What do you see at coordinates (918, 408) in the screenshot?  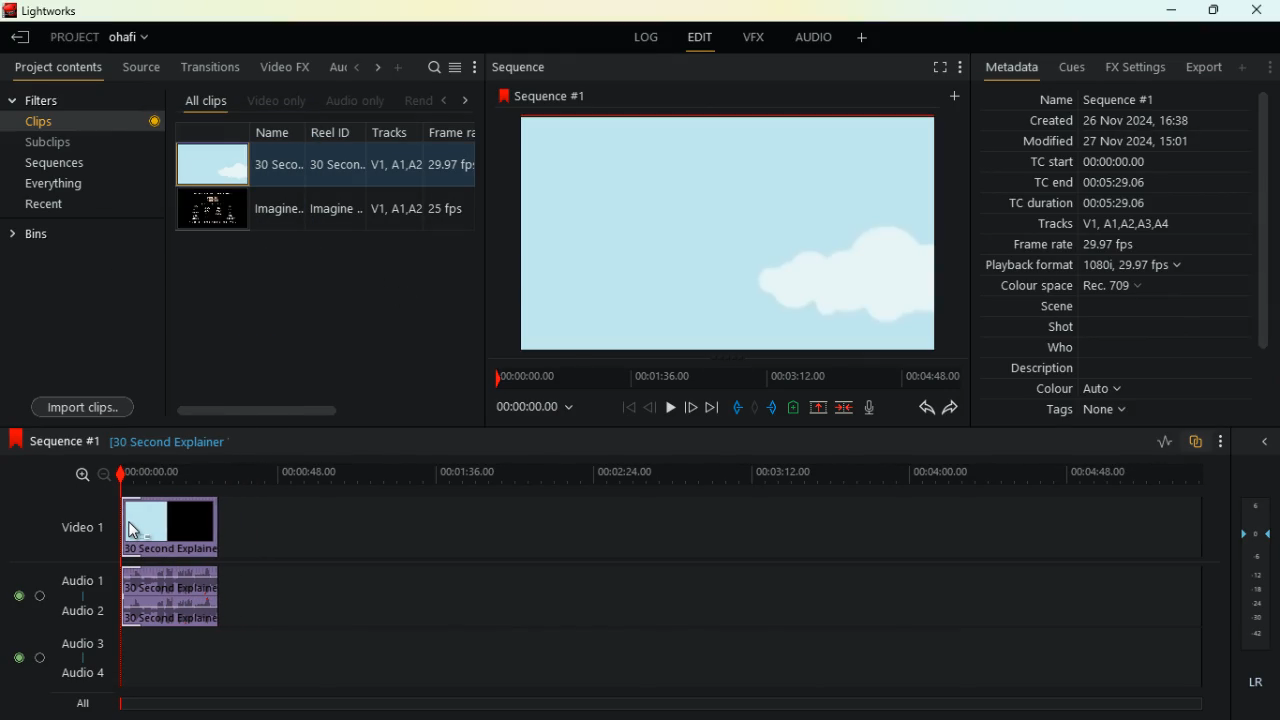 I see `back` at bounding box center [918, 408].